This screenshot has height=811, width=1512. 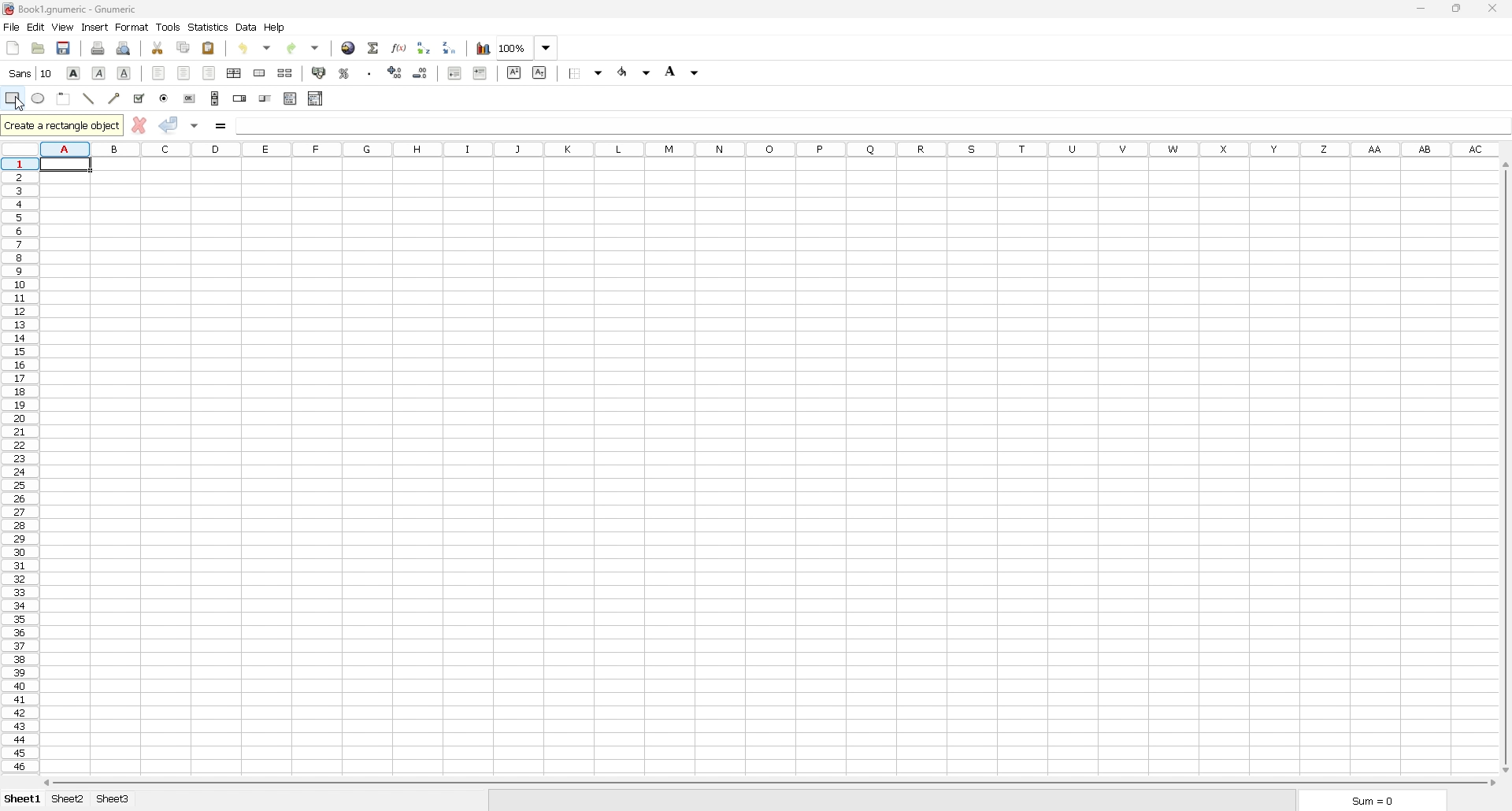 What do you see at coordinates (125, 48) in the screenshot?
I see `print preview` at bounding box center [125, 48].